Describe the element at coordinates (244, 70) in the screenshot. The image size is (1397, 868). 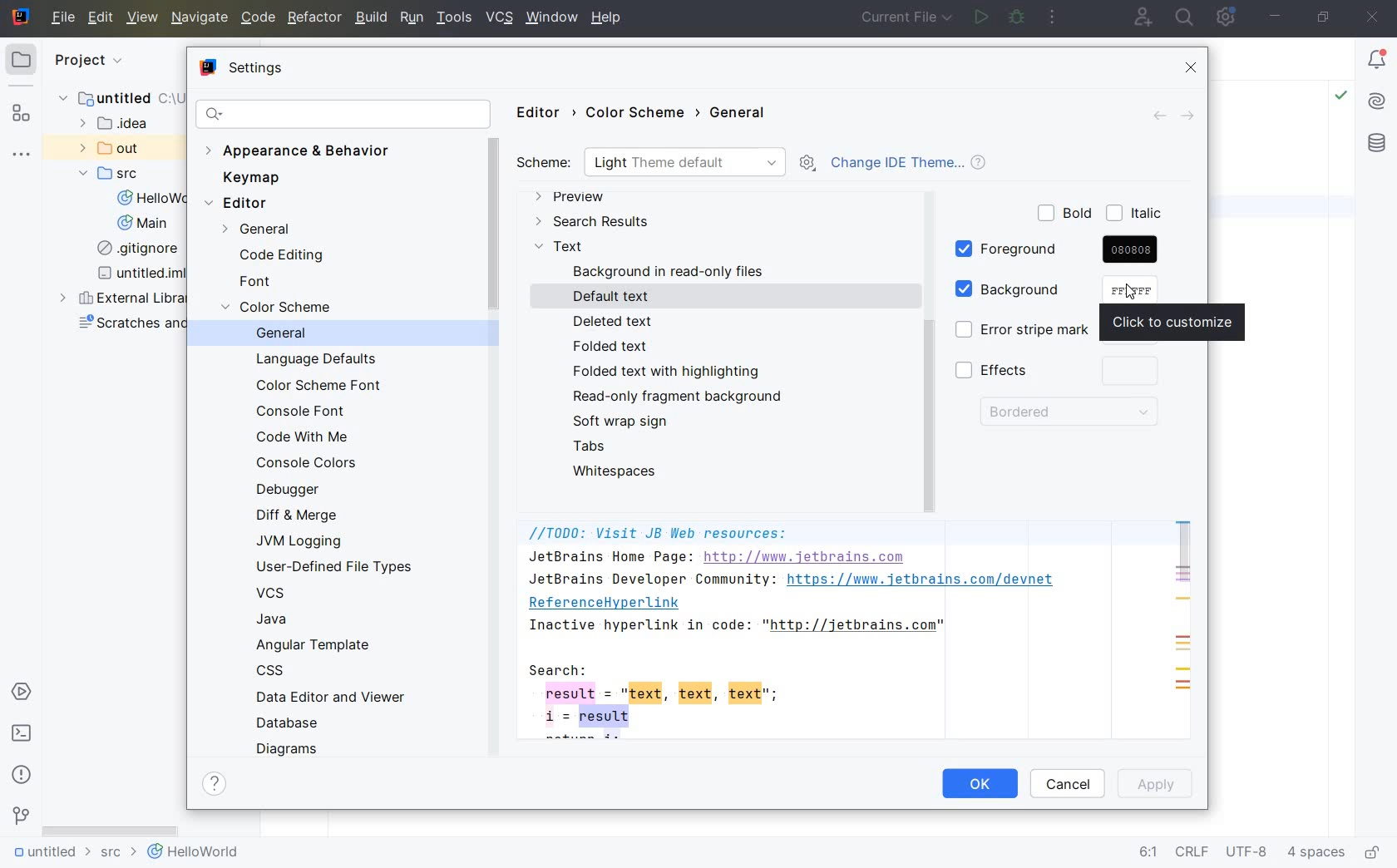
I see `SETTINGS` at that location.